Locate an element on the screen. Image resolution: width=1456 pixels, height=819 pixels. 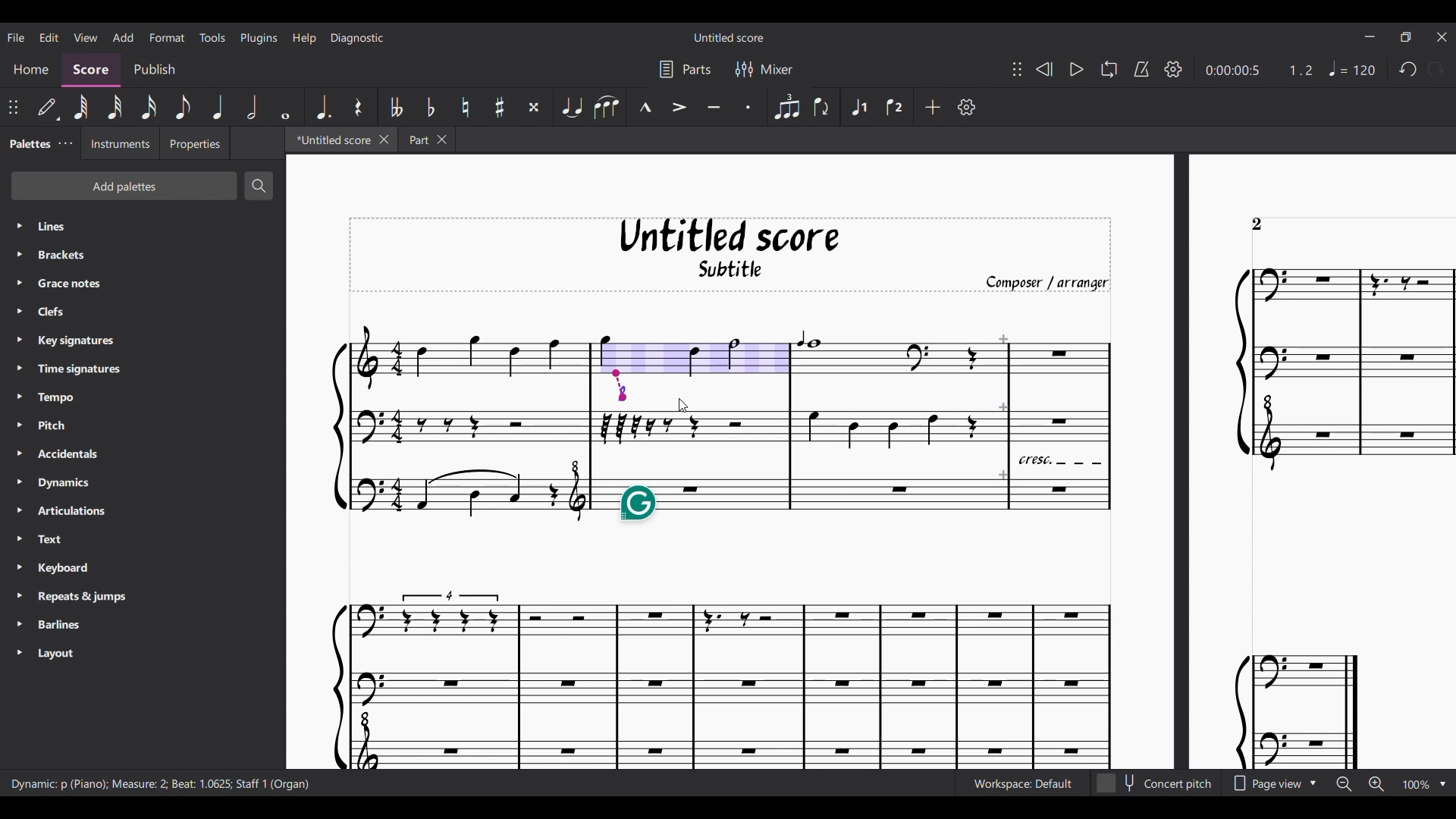
Add is located at coordinates (932, 107).